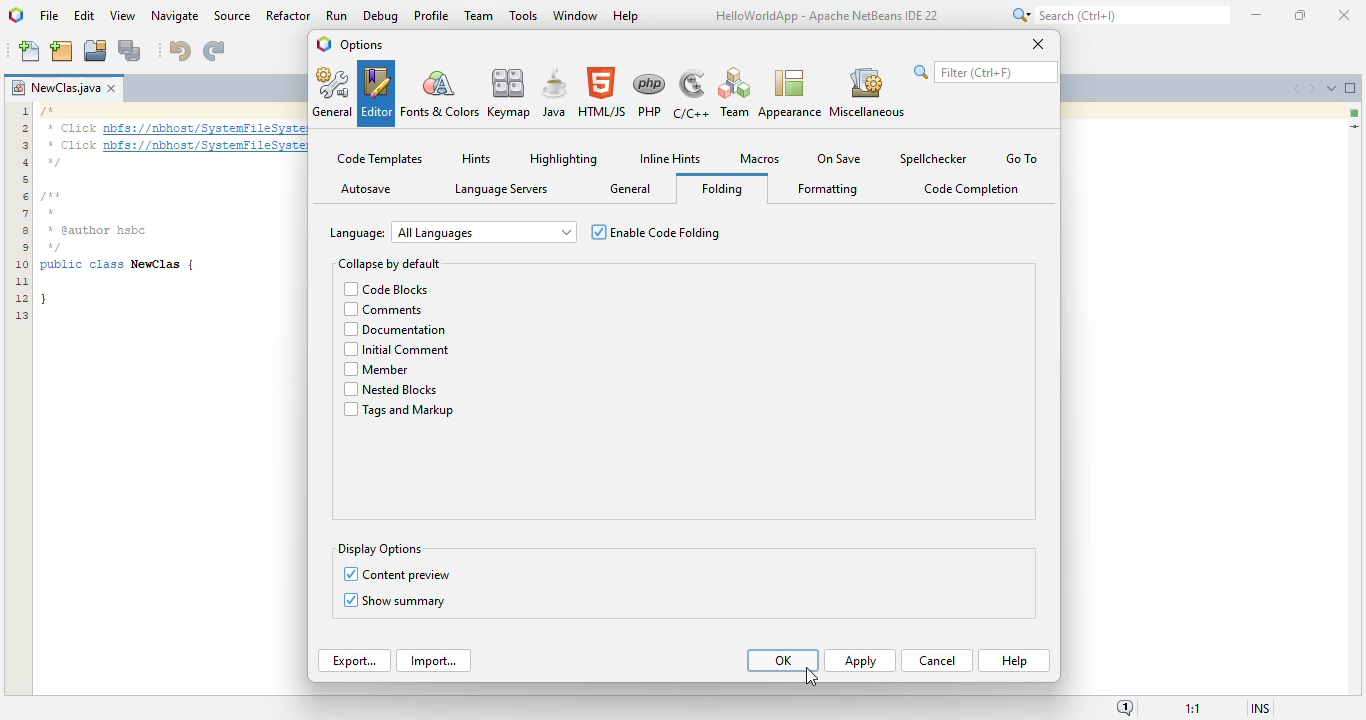 The width and height of the screenshot is (1366, 720). I want to click on autosave, so click(367, 188).